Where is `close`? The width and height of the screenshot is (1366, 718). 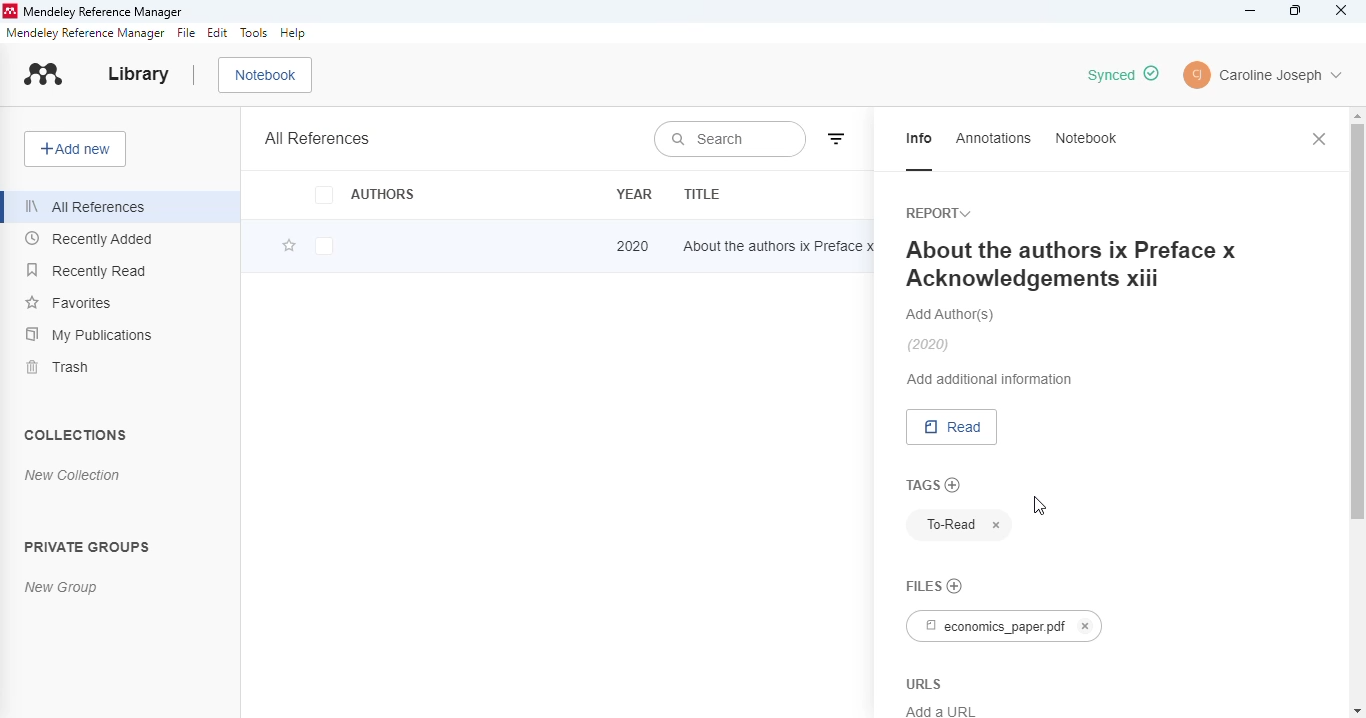 close is located at coordinates (1320, 139).